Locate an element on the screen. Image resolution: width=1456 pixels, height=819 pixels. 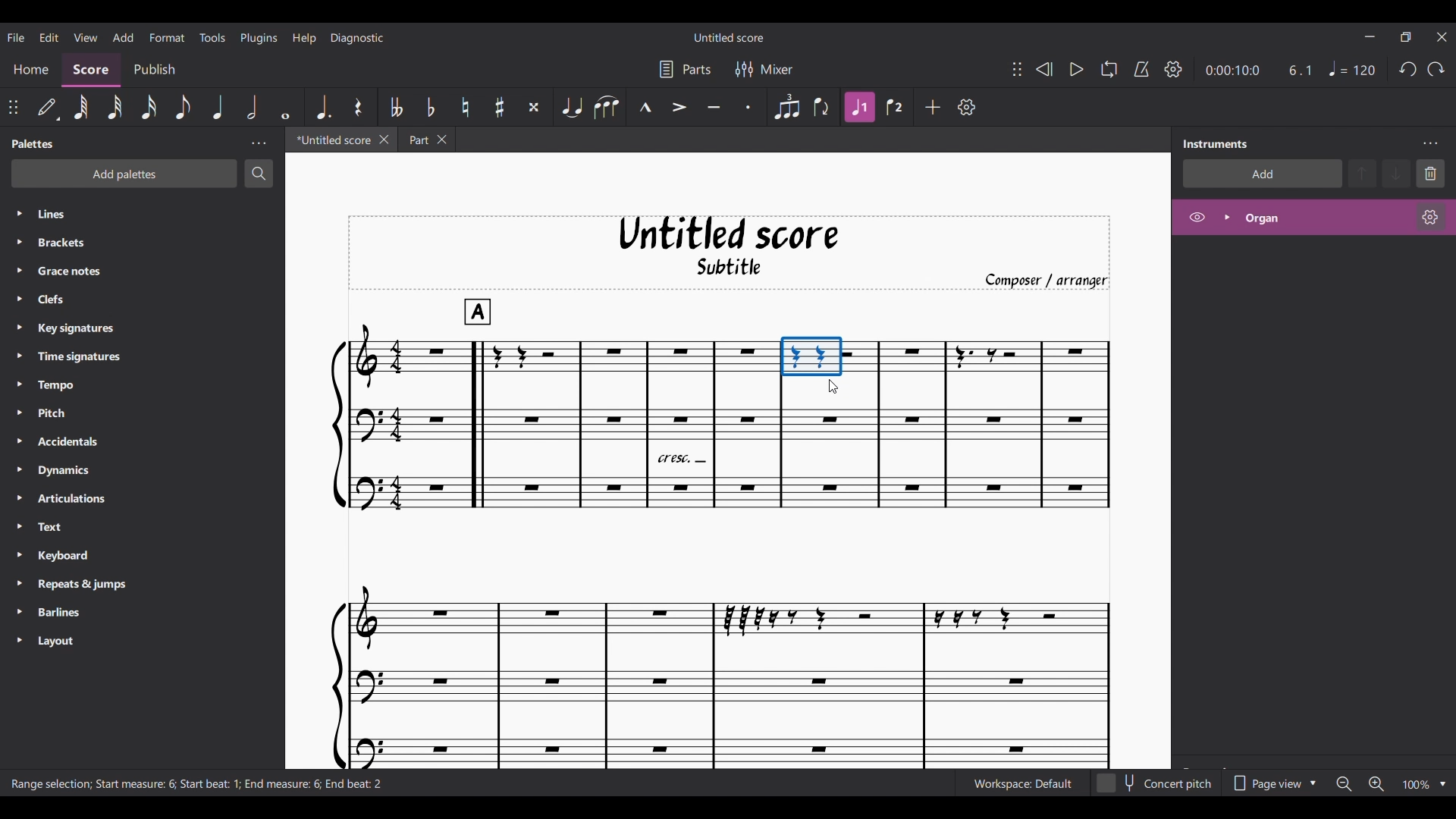
Expand Organ is located at coordinates (1225, 218).